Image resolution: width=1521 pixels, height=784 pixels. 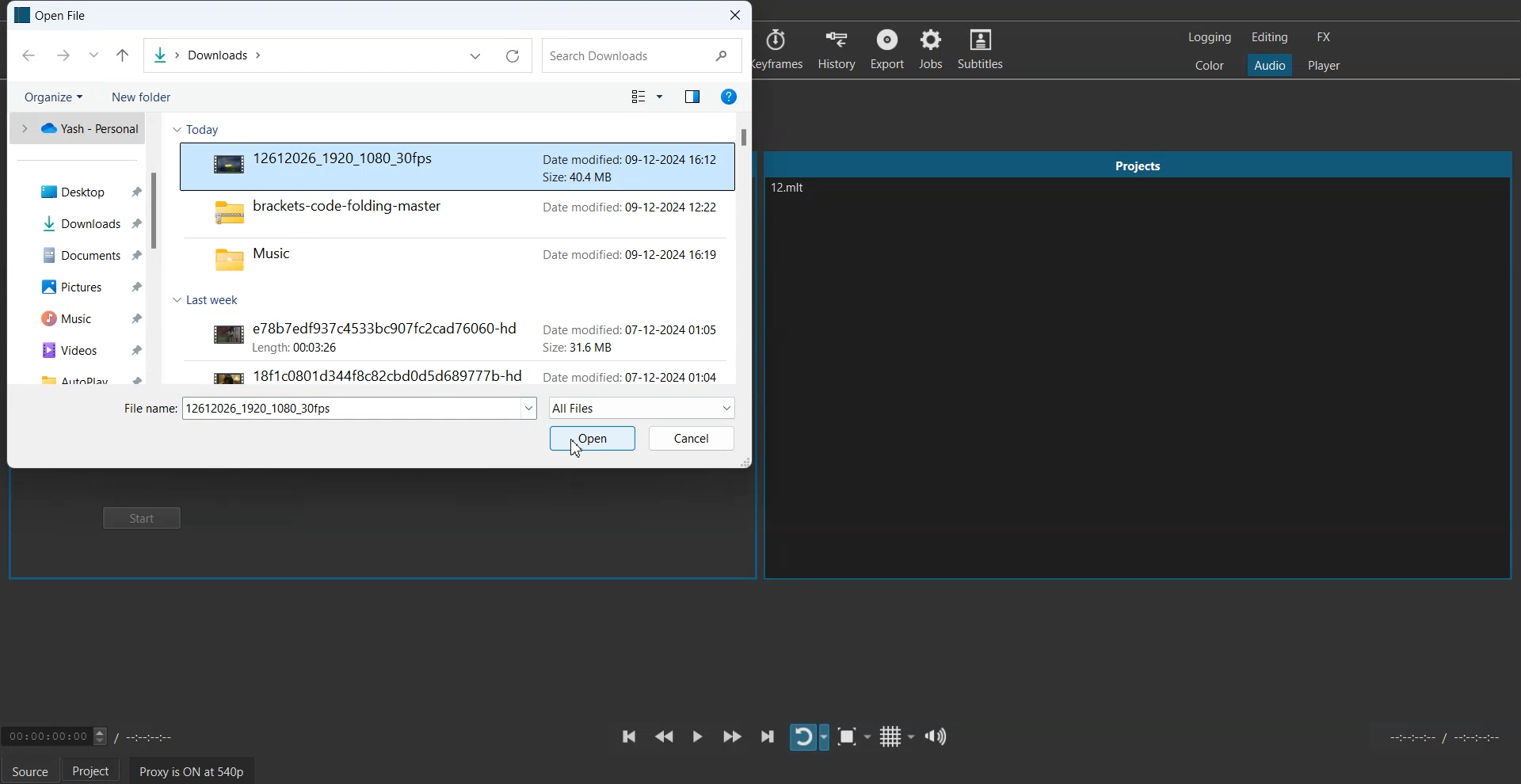 I want to click on FX, so click(x=1322, y=37).